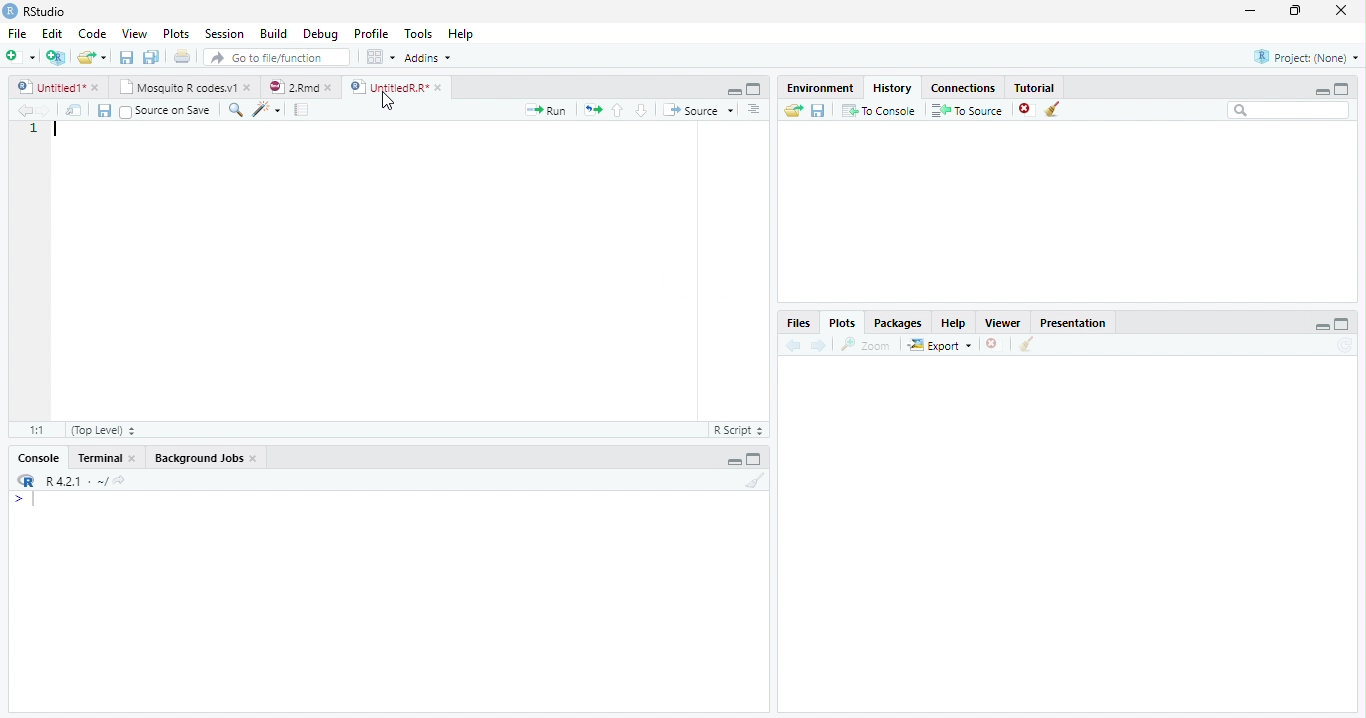 Image resolution: width=1366 pixels, height=718 pixels. What do you see at coordinates (1321, 326) in the screenshot?
I see `Minimize` at bounding box center [1321, 326].